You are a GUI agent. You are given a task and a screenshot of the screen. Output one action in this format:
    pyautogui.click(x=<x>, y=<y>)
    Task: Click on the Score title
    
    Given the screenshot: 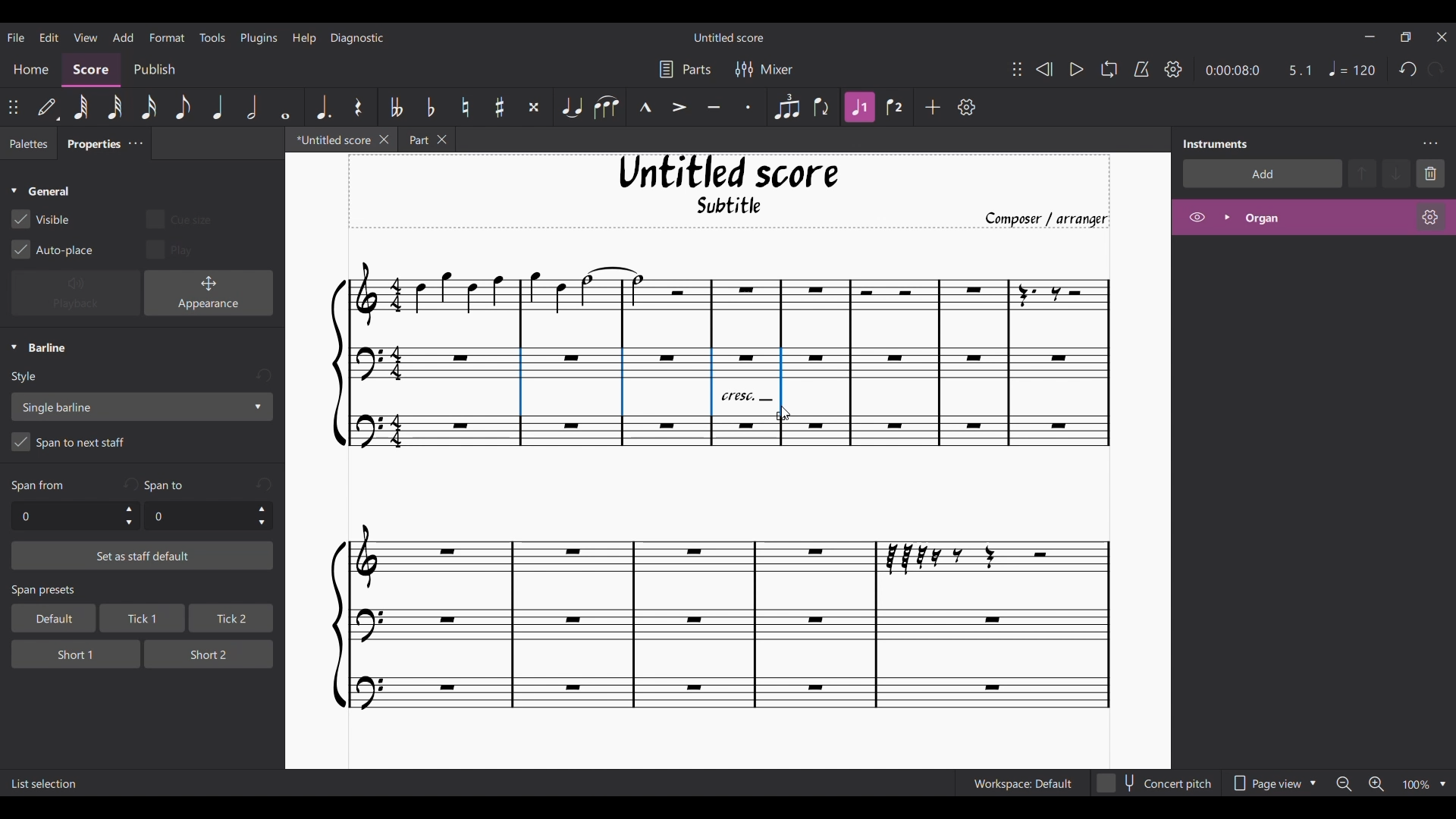 What is the action you would take?
    pyautogui.click(x=728, y=37)
    